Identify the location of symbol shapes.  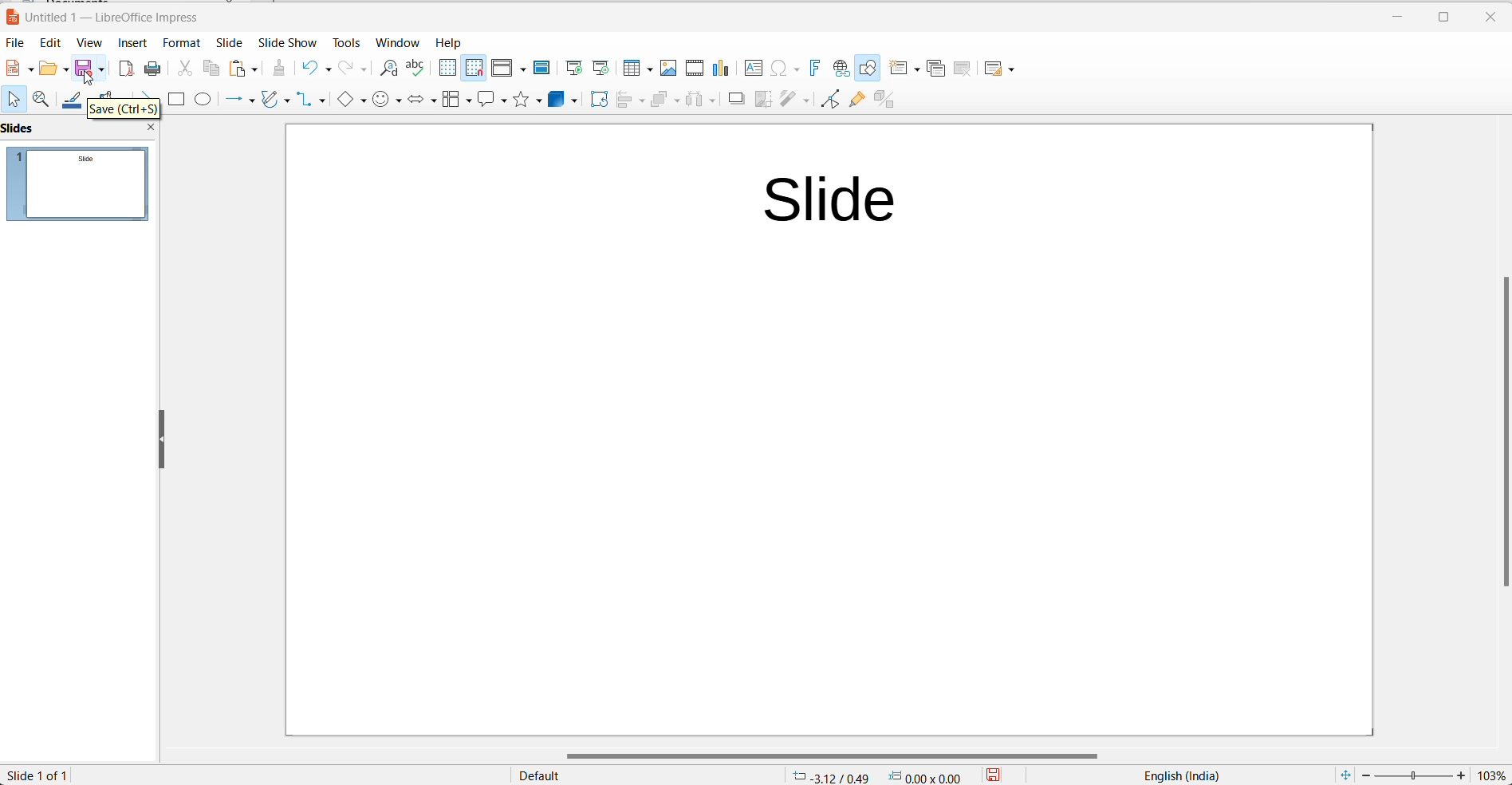
(387, 101).